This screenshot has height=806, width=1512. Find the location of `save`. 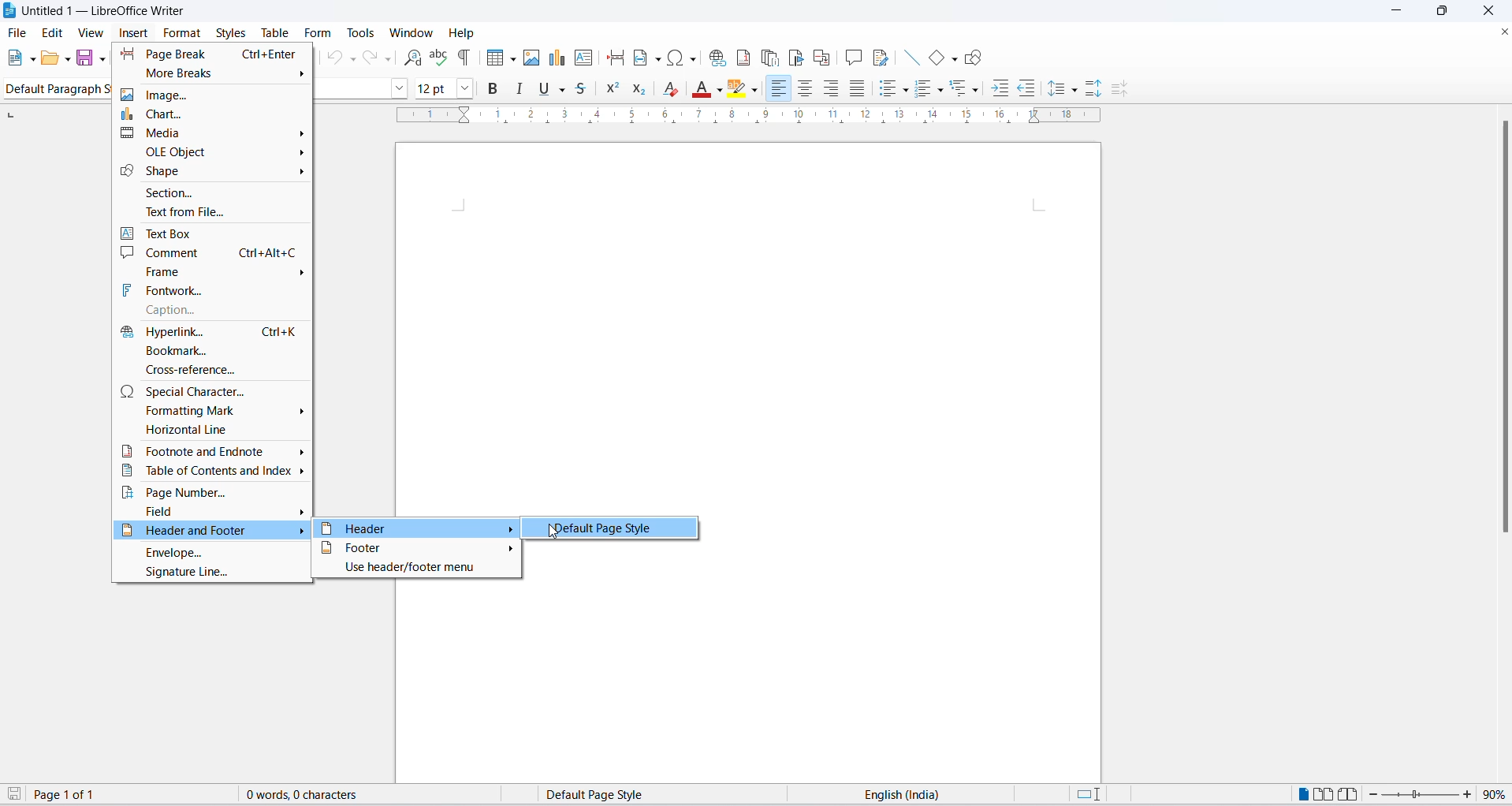

save is located at coordinates (15, 795).